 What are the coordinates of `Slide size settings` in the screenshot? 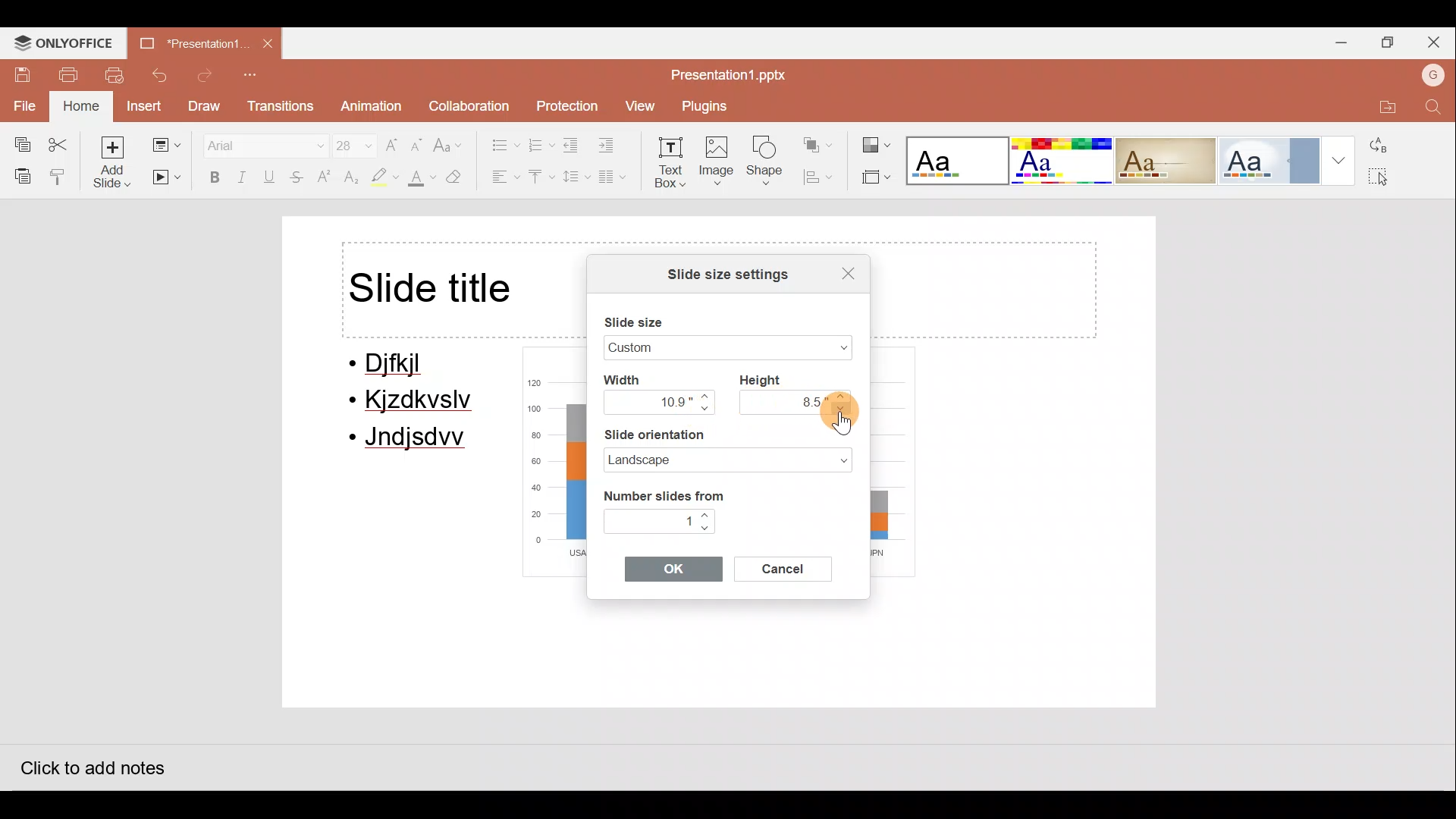 It's located at (720, 273).